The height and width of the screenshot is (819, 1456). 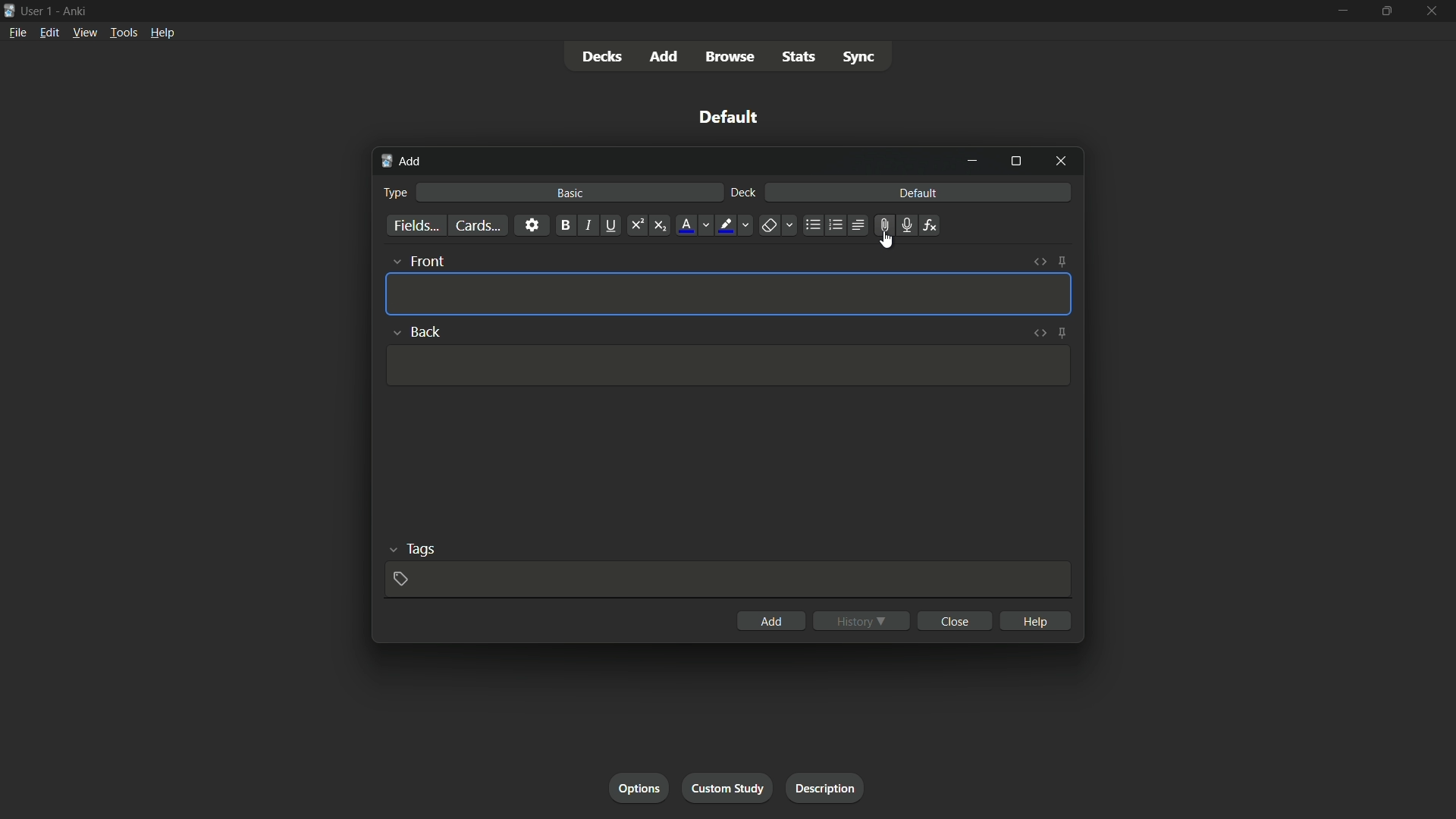 What do you see at coordinates (52, 32) in the screenshot?
I see `edit menu` at bounding box center [52, 32].